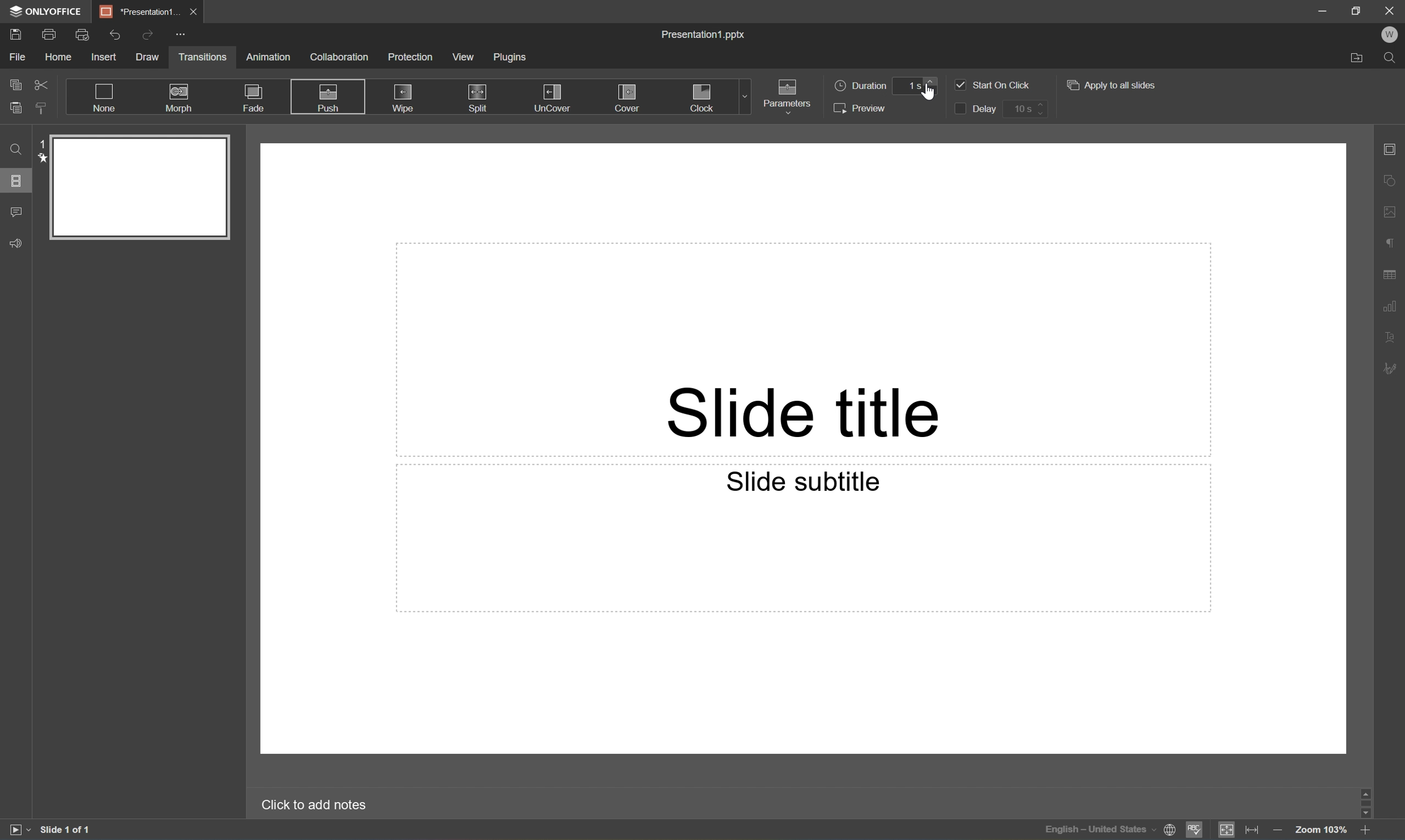 The image size is (1405, 840). I want to click on Text art settings, so click(1394, 339).